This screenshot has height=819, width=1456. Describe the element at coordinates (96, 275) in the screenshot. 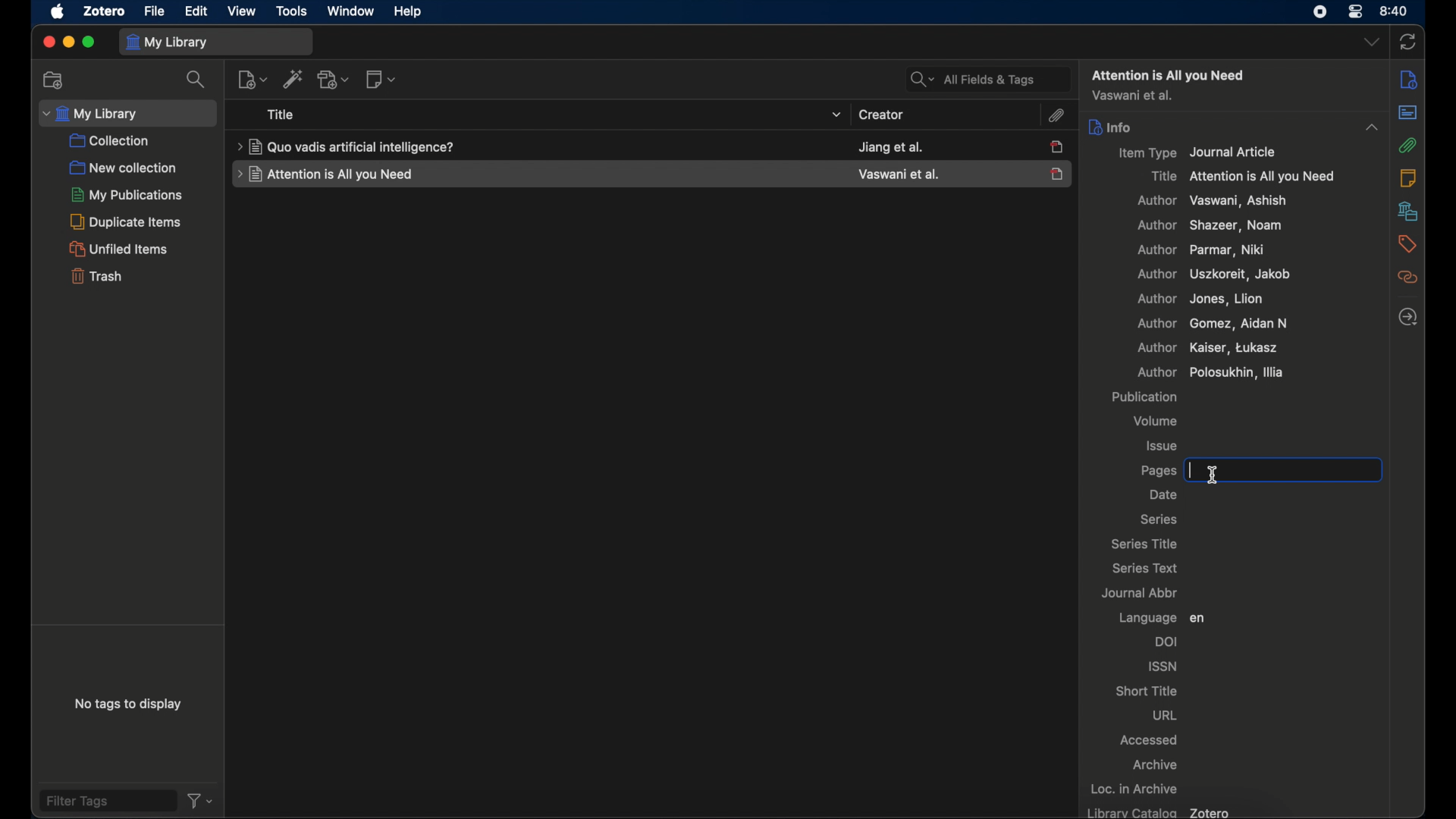

I see `trash` at that location.